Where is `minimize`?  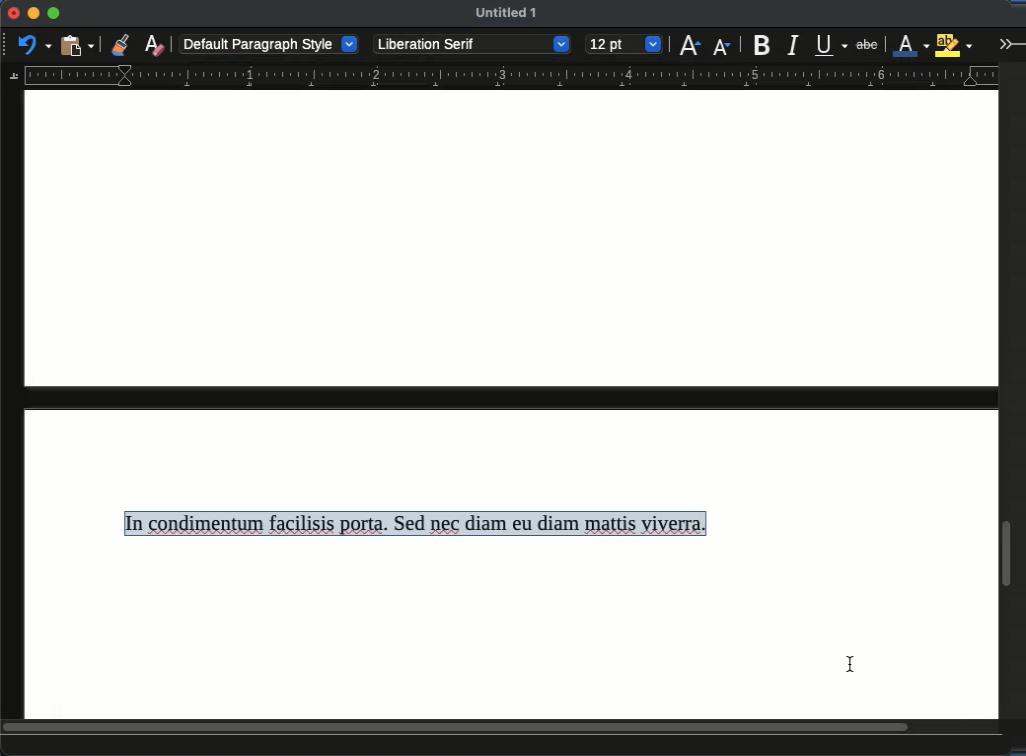
minimize is located at coordinates (33, 13).